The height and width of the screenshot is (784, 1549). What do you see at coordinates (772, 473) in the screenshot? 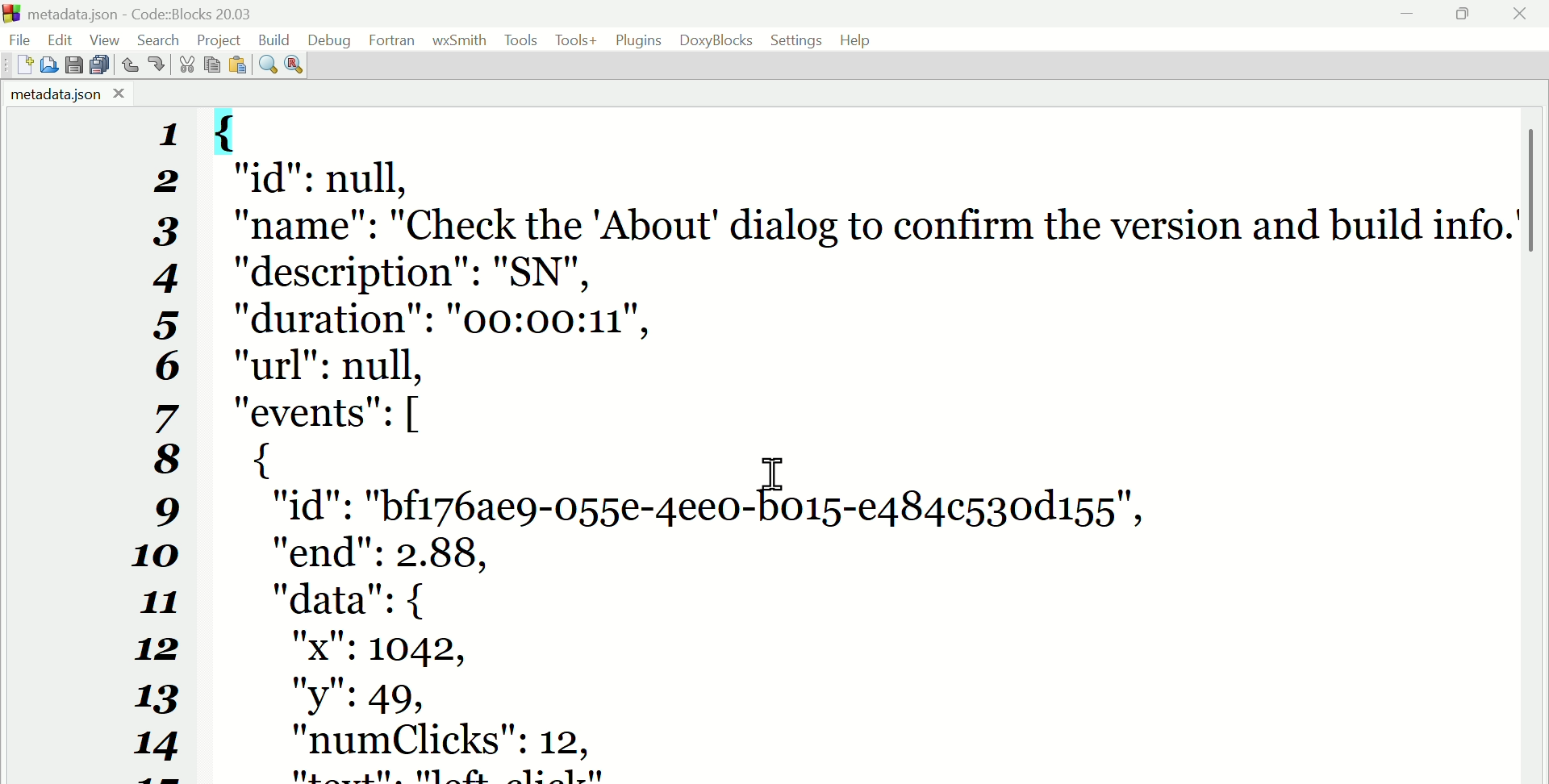
I see `cursor` at bounding box center [772, 473].